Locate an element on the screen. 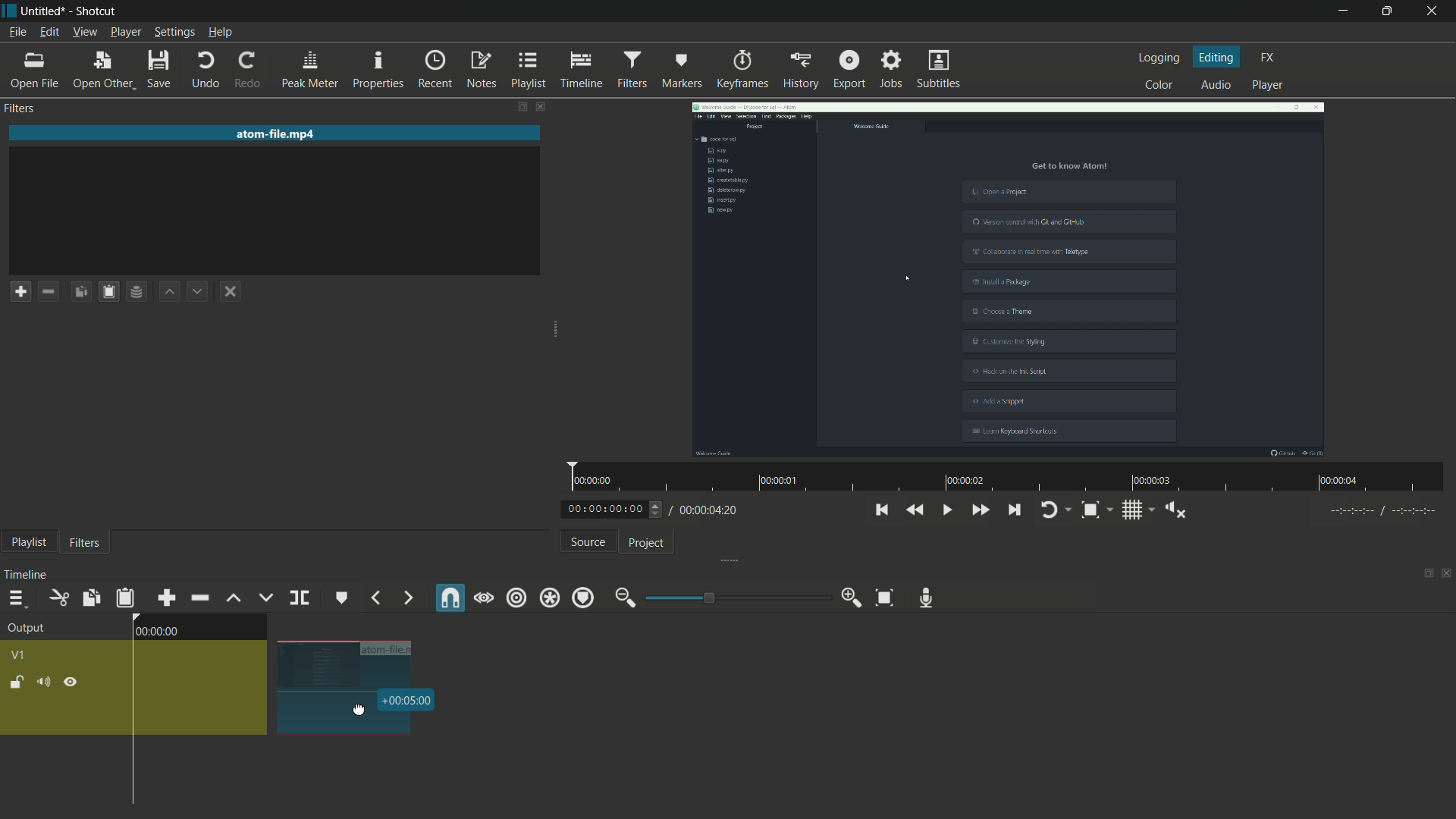 Image resolution: width=1456 pixels, height=819 pixels. add a filter is located at coordinates (20, 290).